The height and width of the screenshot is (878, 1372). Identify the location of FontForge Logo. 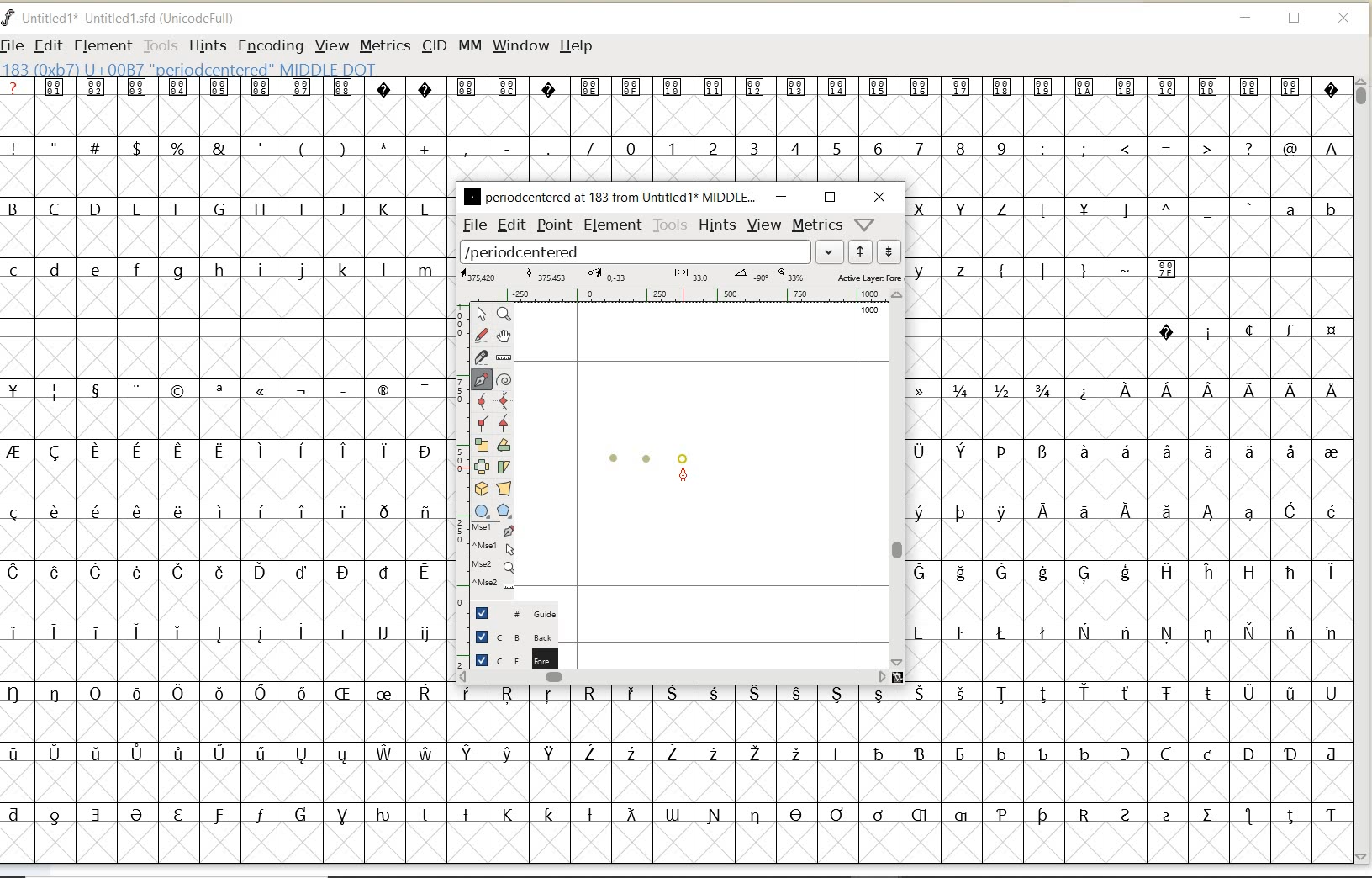
(9, 16).